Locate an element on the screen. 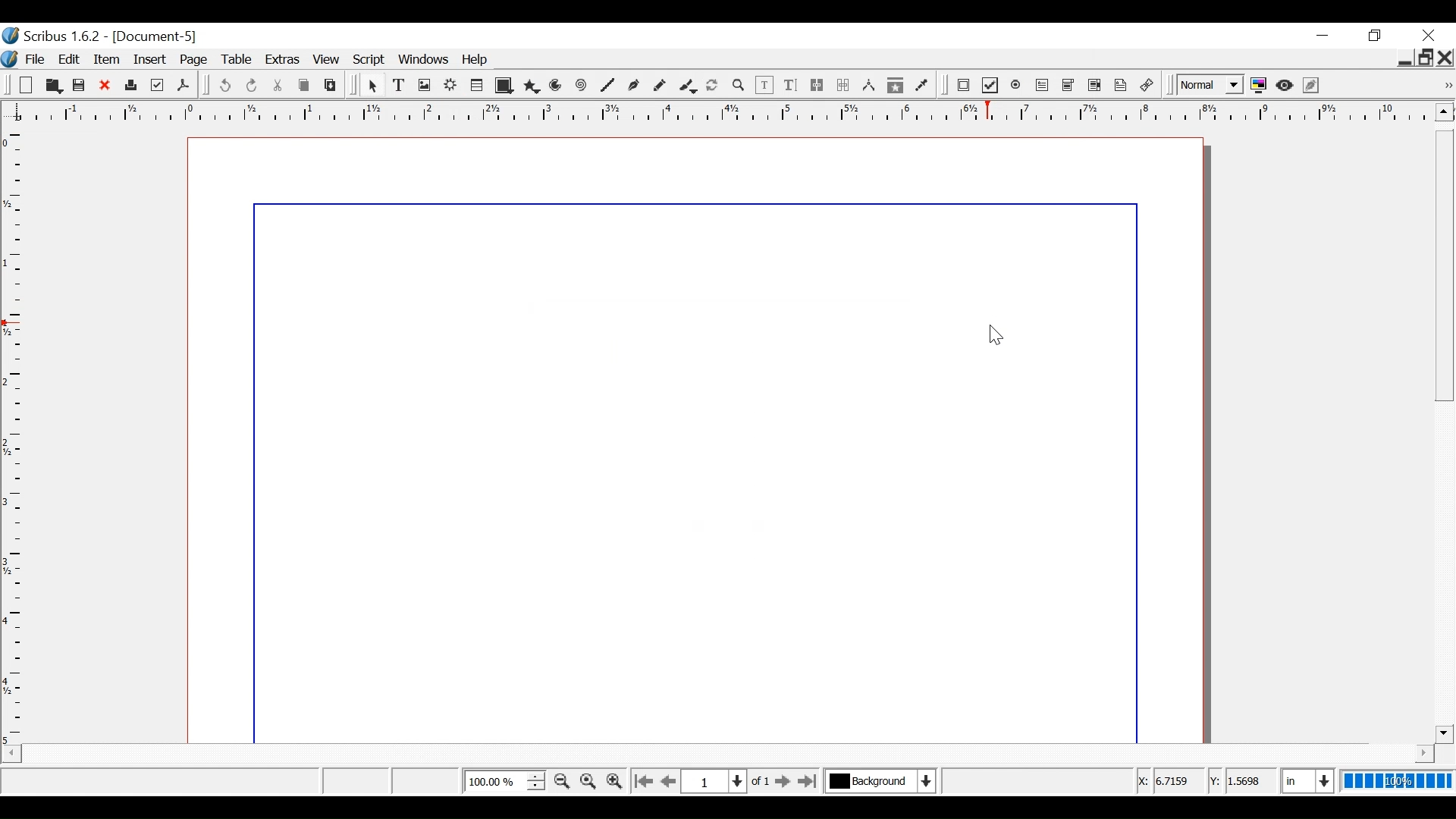  Close is located at coordinates (105, 86).